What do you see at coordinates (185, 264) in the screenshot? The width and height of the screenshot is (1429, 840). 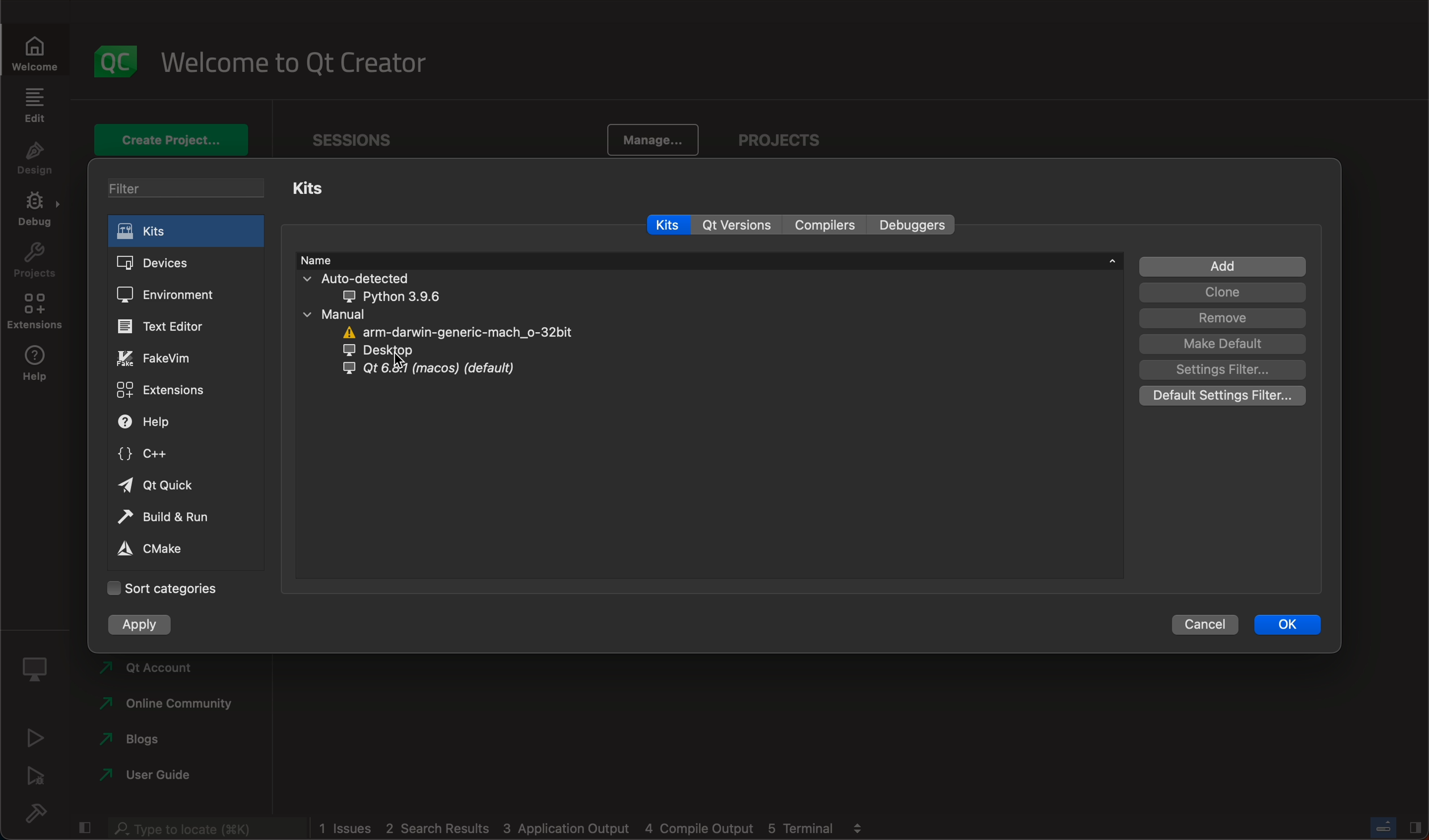 I see `devices` at bounding box center [185, 264].